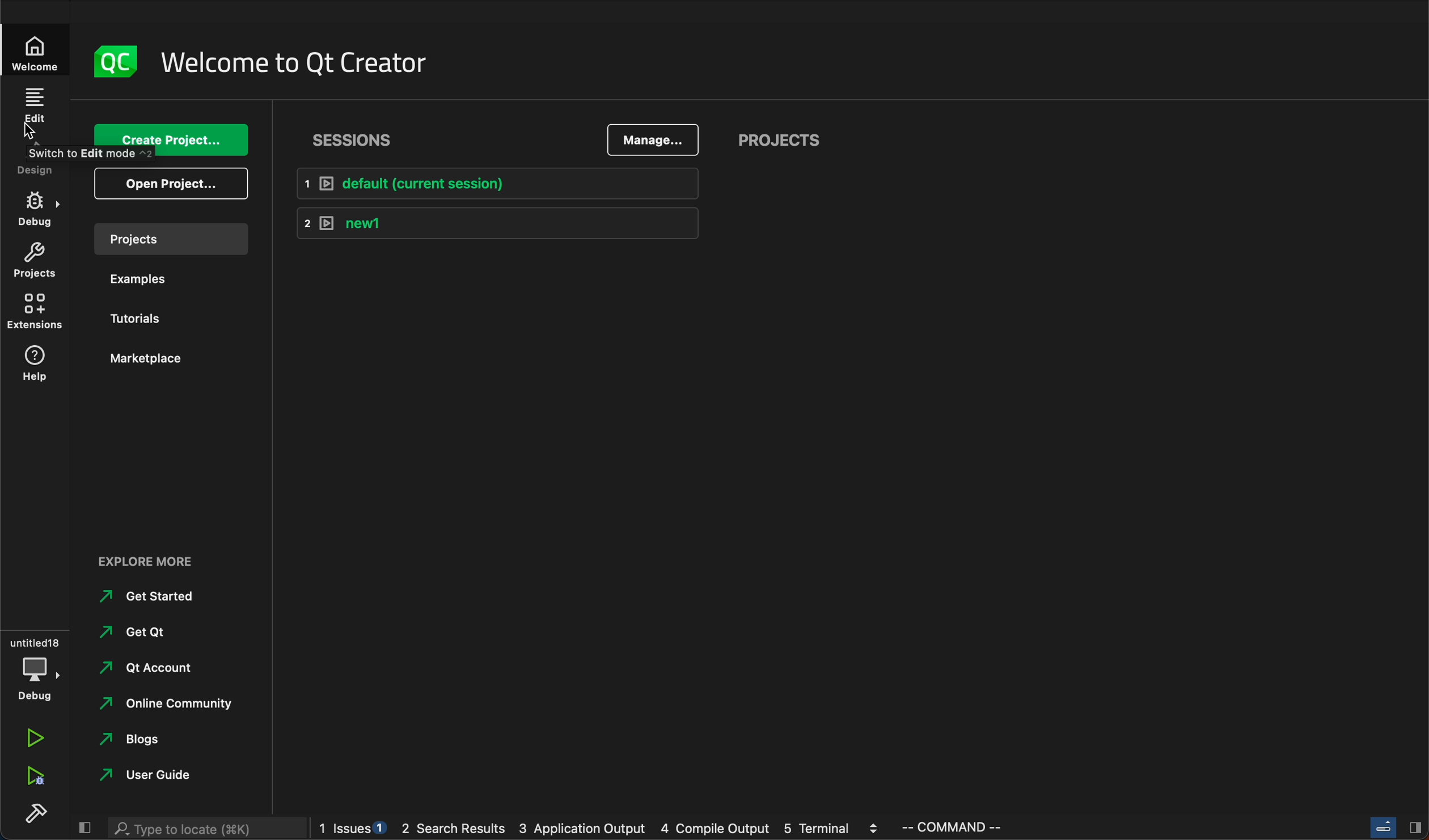 This screenshot has height=840, width=1429. Describe the element at coordinates (150, 597) in the screenshot. I see `get started` at that location.